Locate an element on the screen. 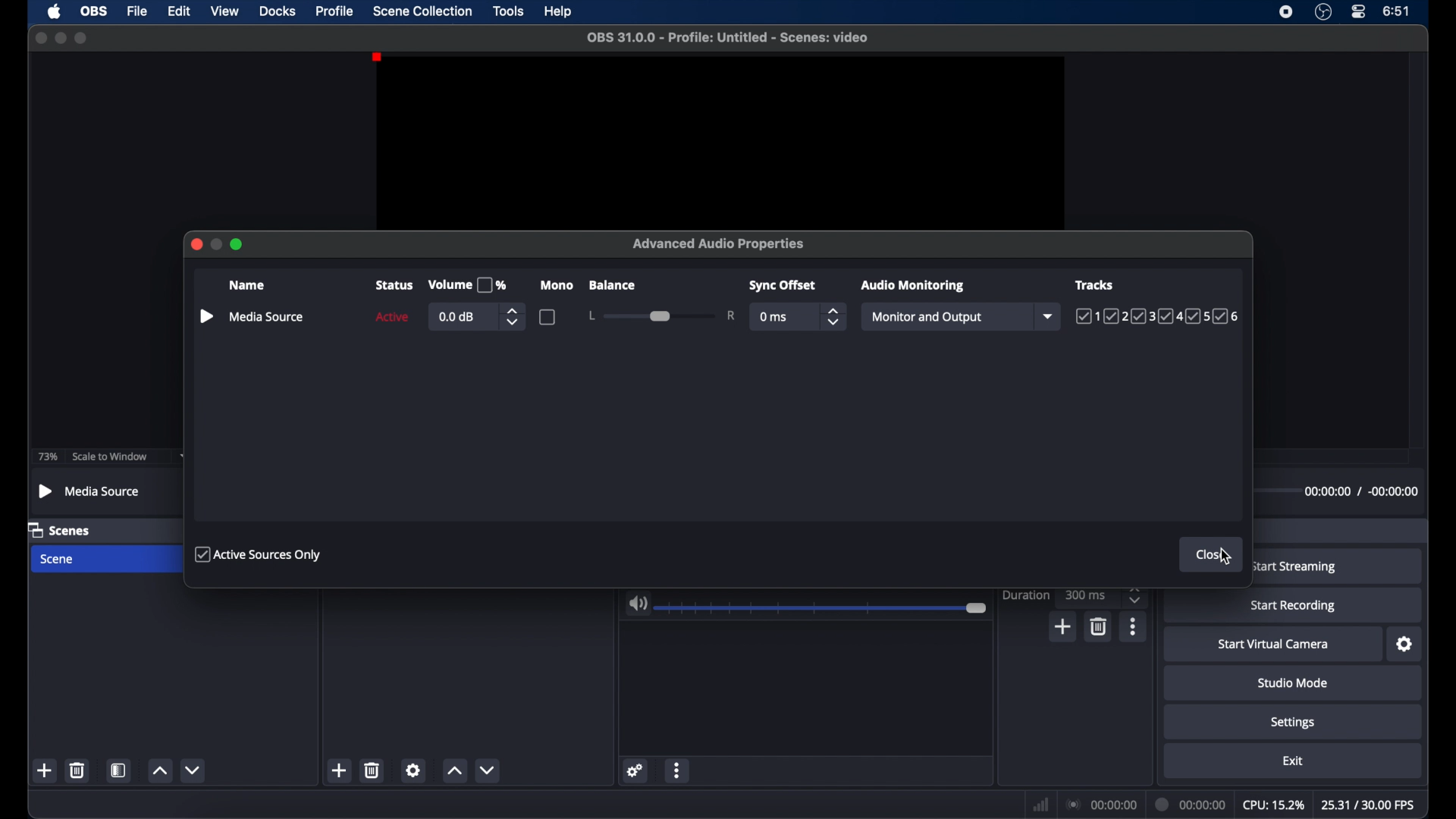  increment is located at coordinates (454, 772).